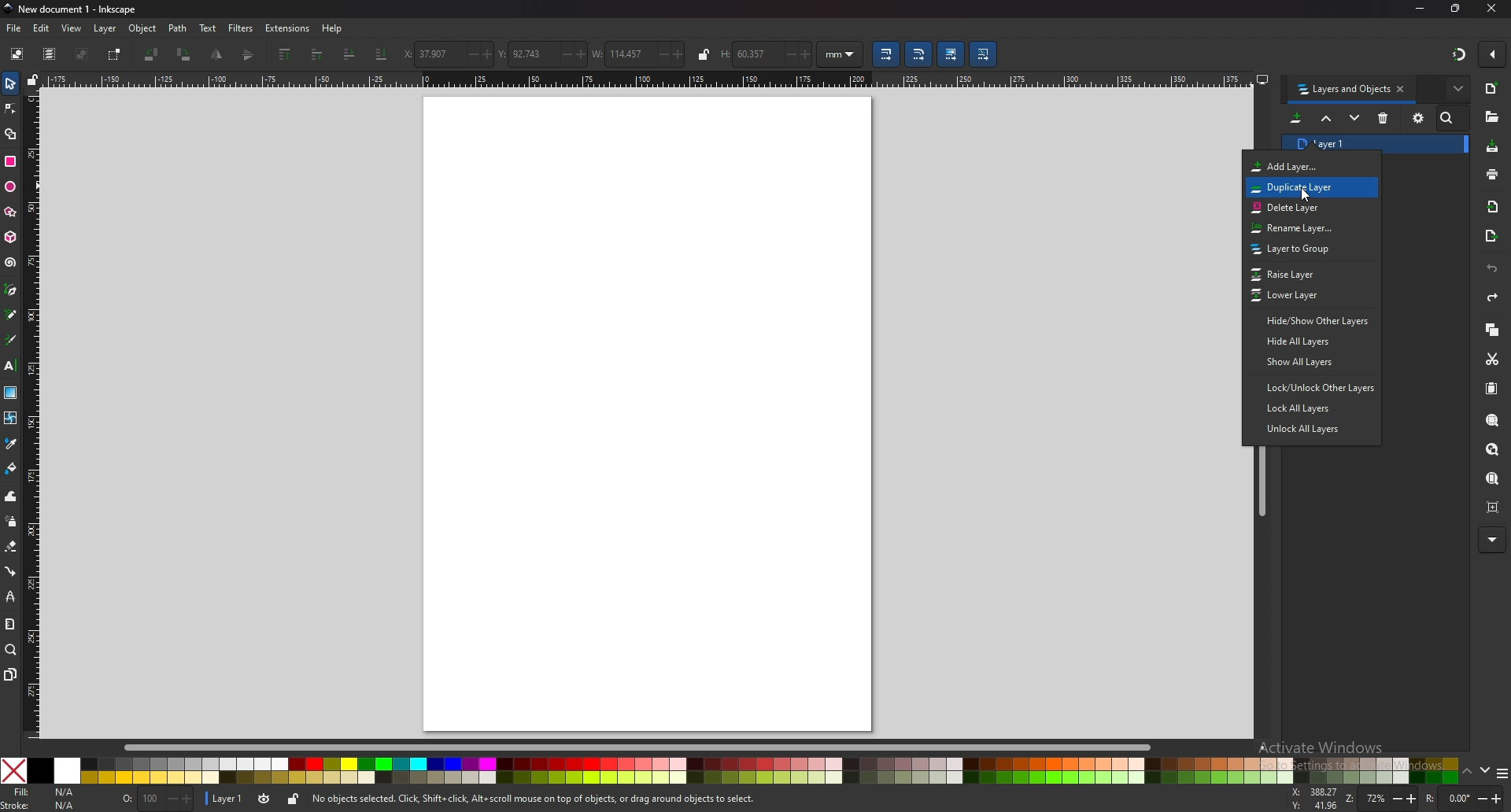 The height and width of the screenshot is (812, 1511). What do you see at coordinates (224, 798) in the screenshot?
I see `layer` at bounding box center [224, 798].